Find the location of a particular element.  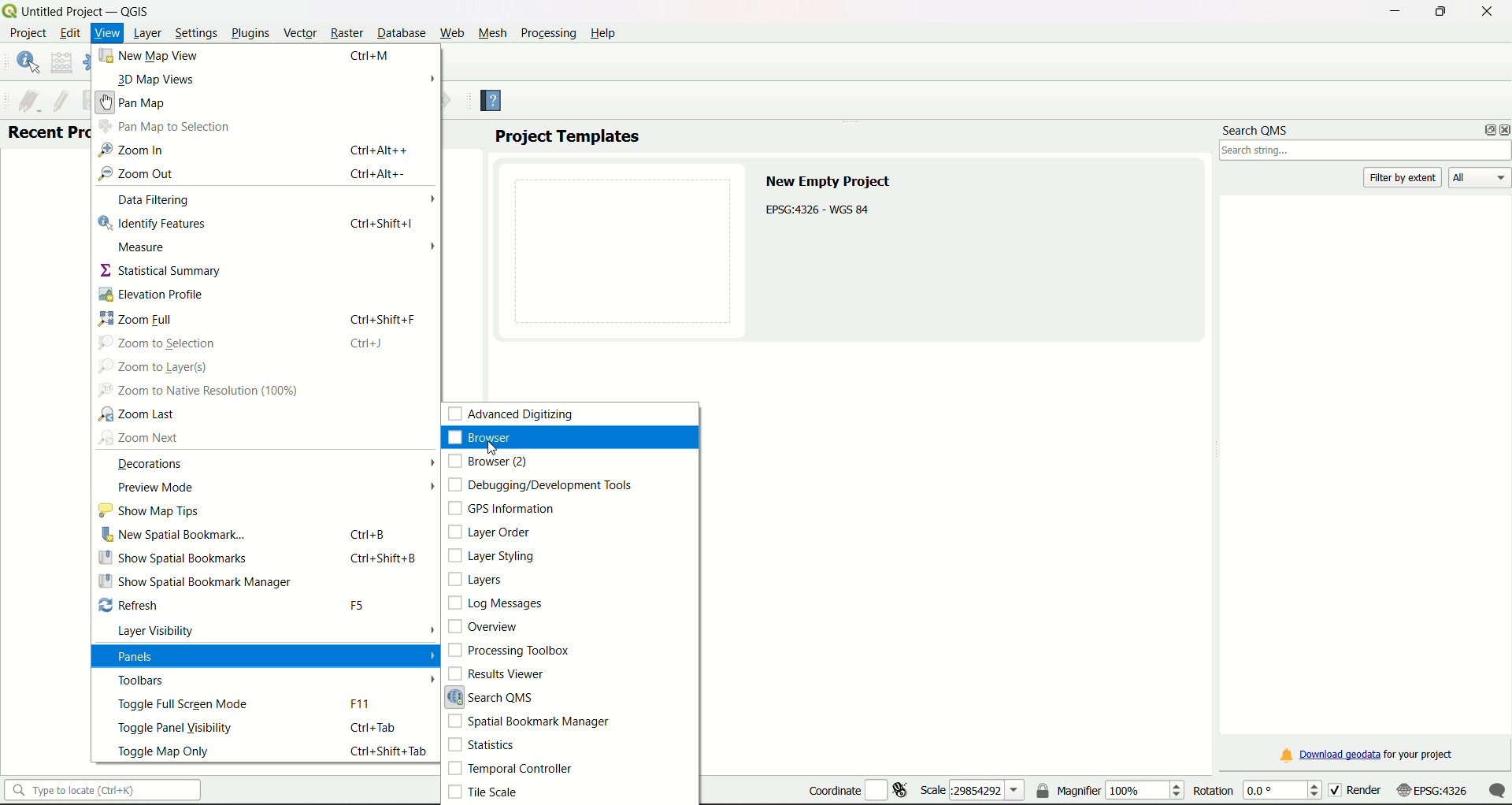

title and logo is located at coordinates (79, 10).